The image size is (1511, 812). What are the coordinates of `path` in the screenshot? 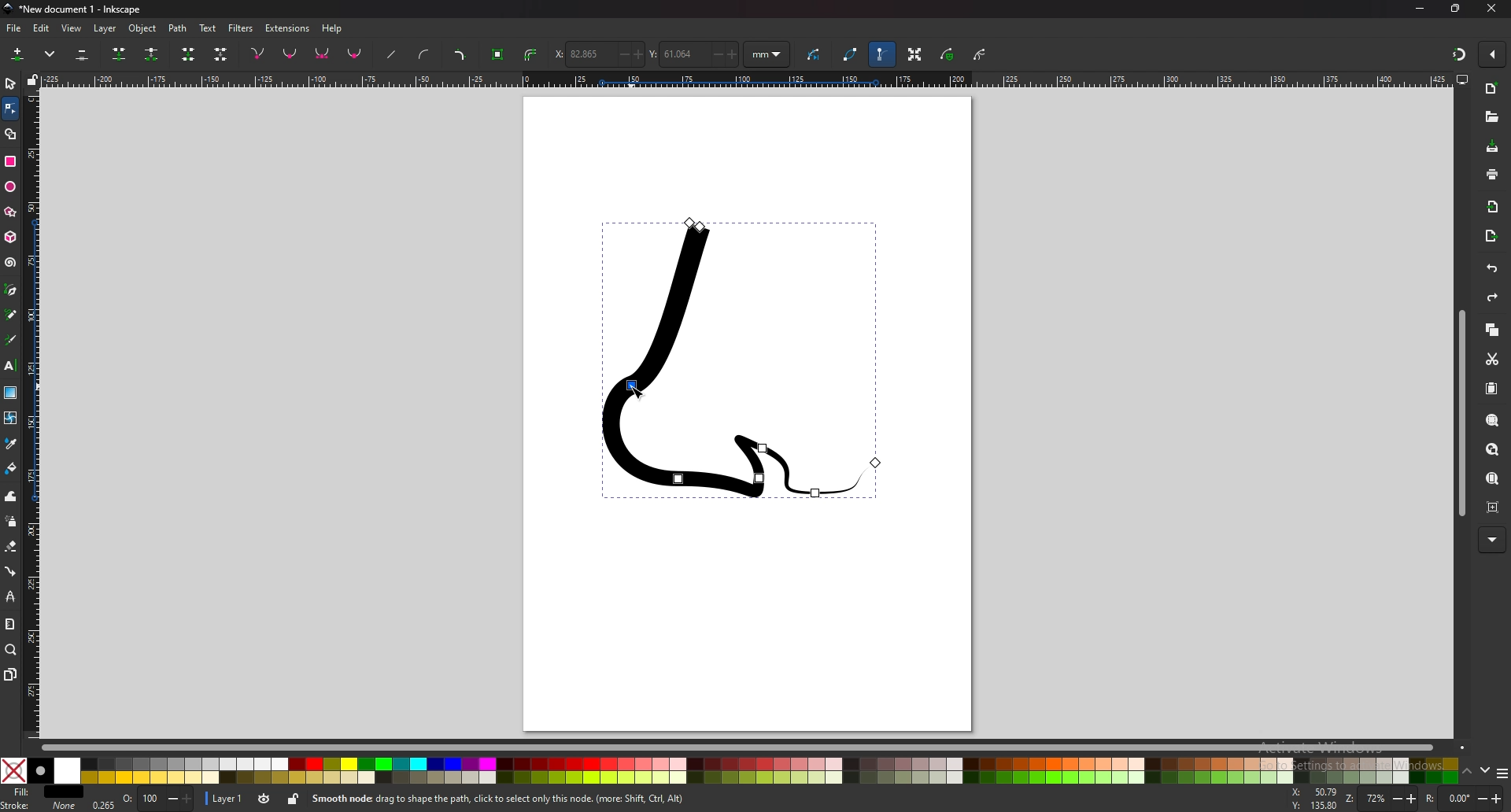 It's located at (179, 28).